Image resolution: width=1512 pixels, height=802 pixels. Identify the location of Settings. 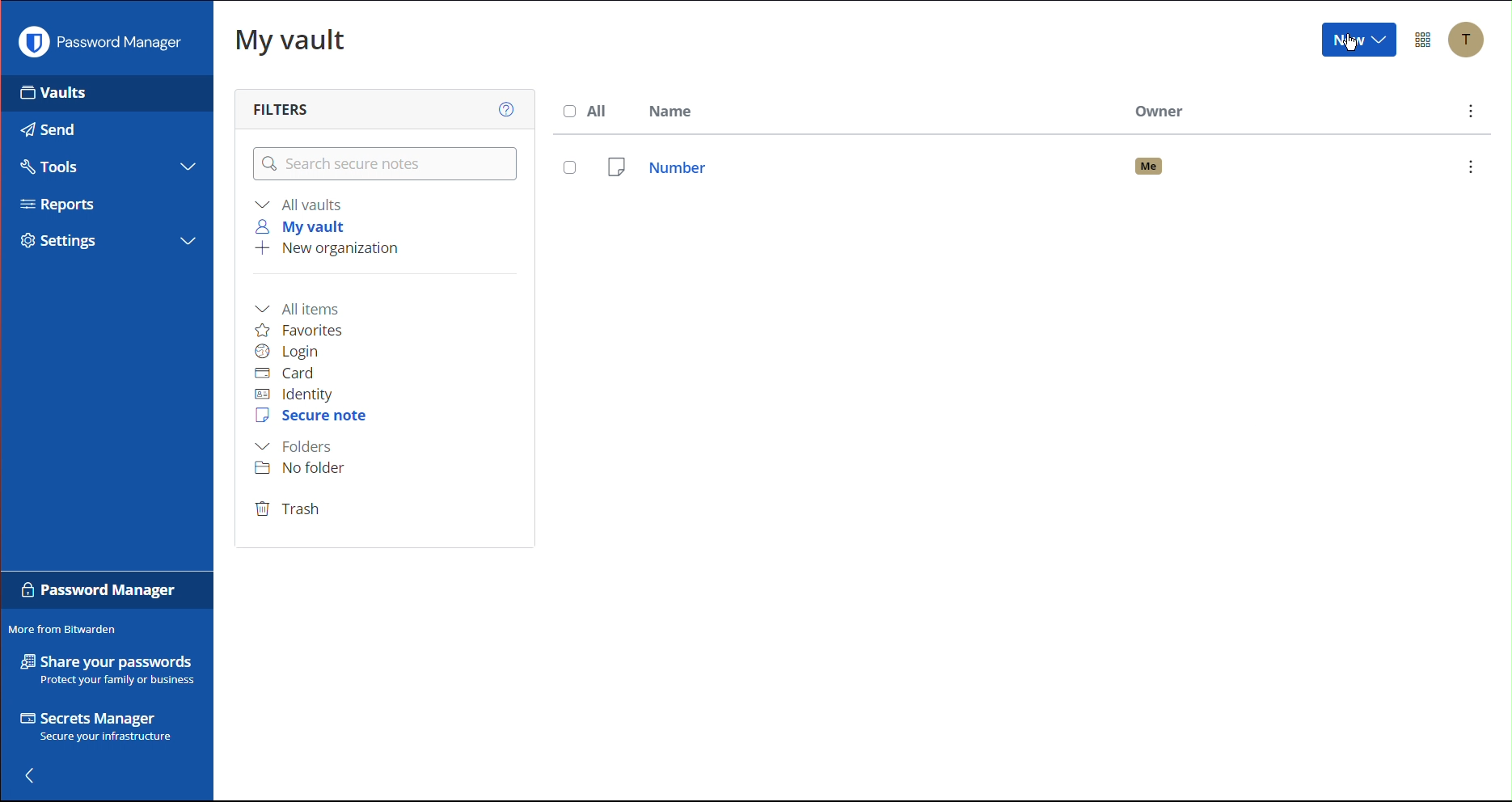
(66, 241).